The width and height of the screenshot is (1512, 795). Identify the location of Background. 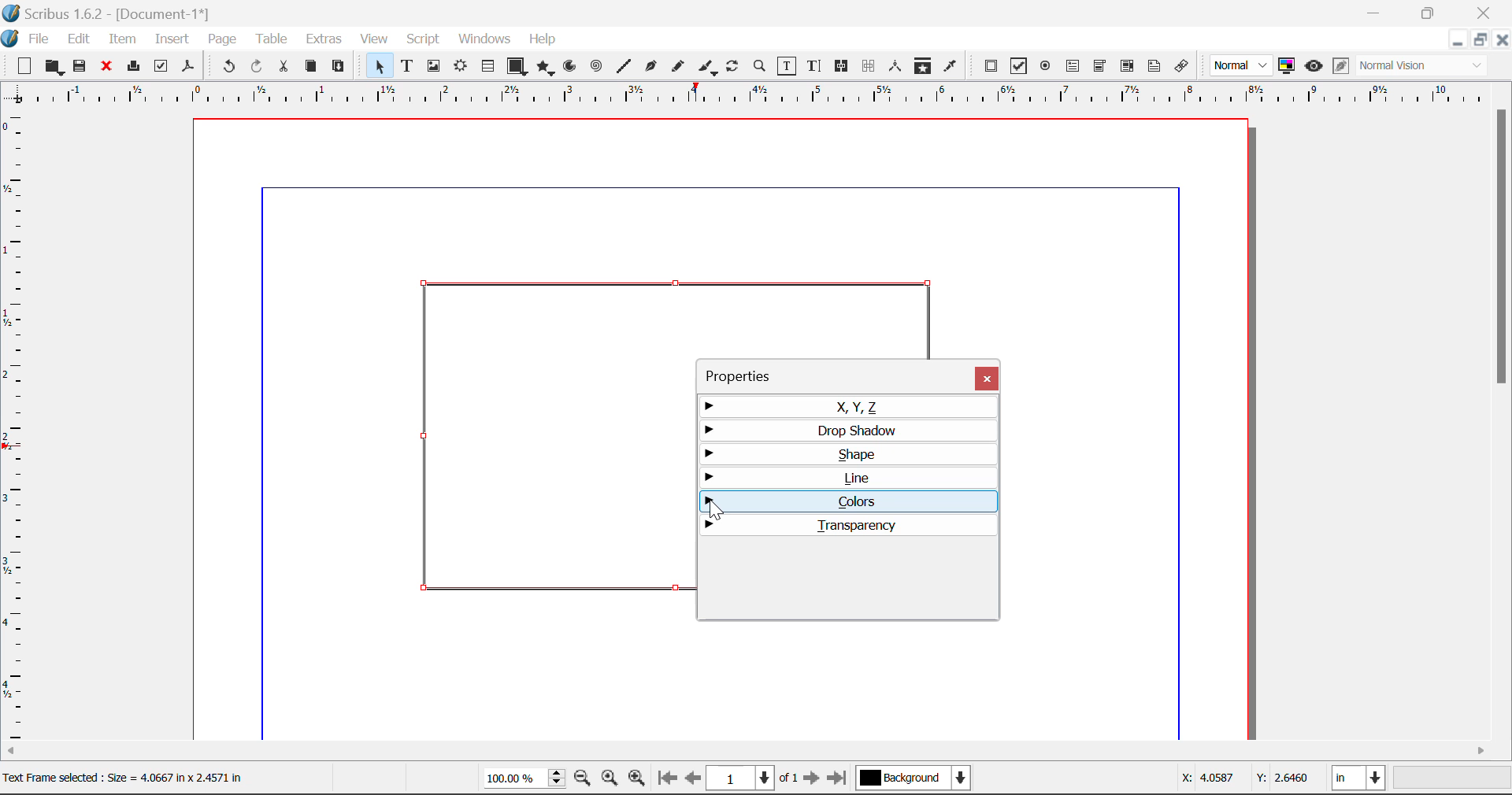
(913, 779).